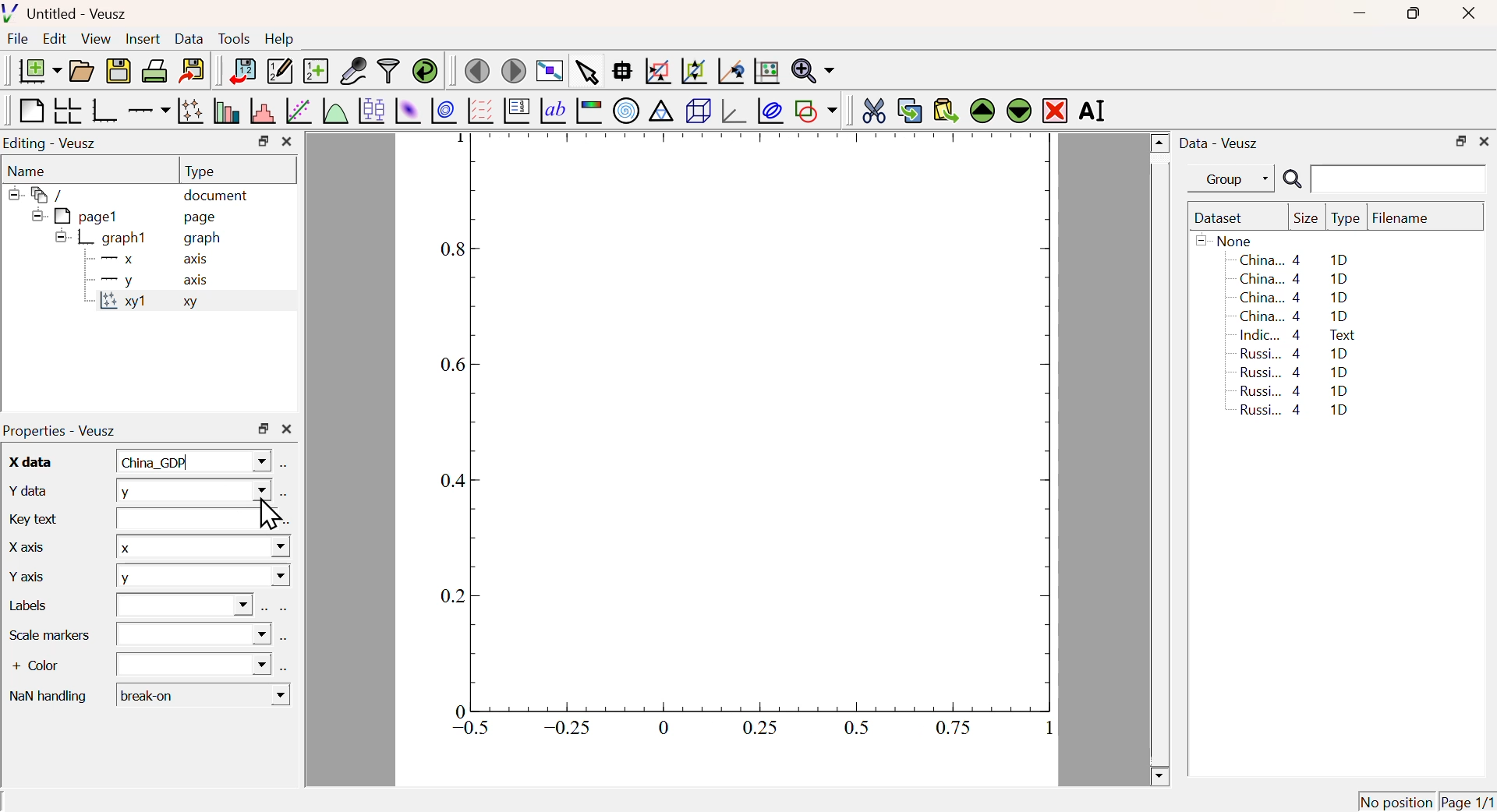  I want to click on Russi... 4 1D, so click(1297, 411).